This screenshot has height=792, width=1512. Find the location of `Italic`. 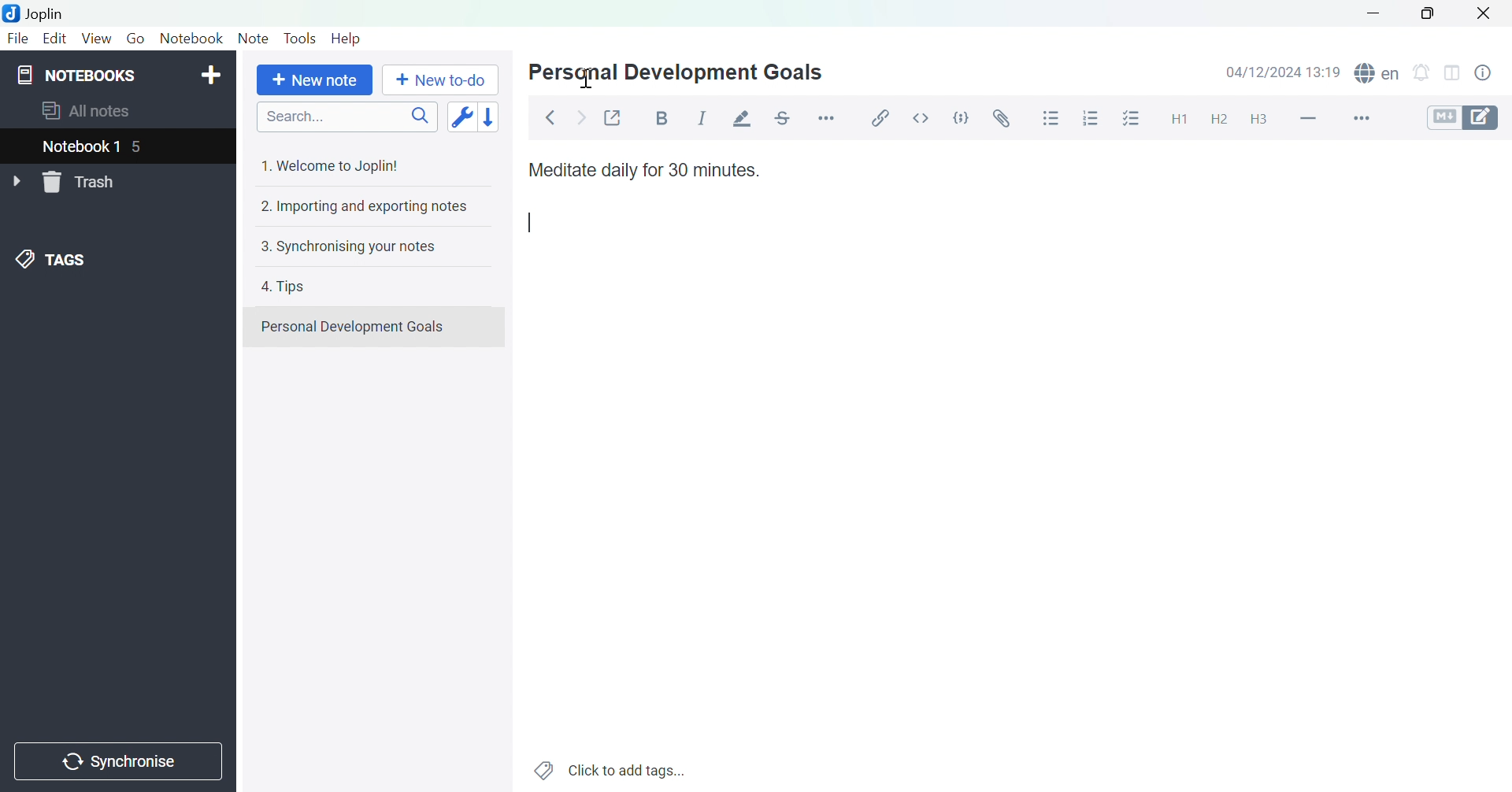

Italic is located at coordinates (702, 117).